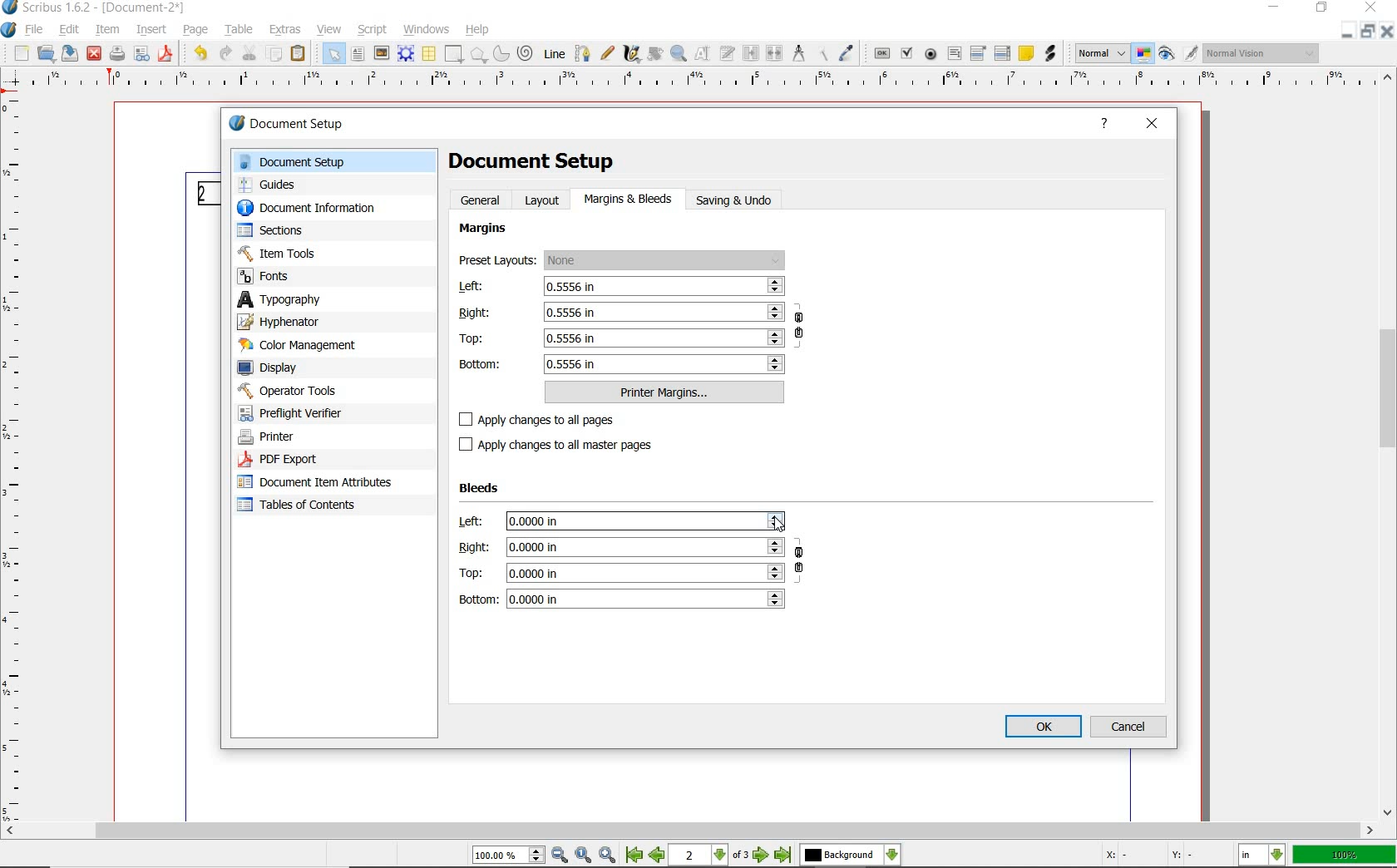 This screenshot has height=868, width=1397. What do you see at coordinates (1263, 856) in the screenshot?
I see `select the current unit: in` at bounding box center [1263, 856].